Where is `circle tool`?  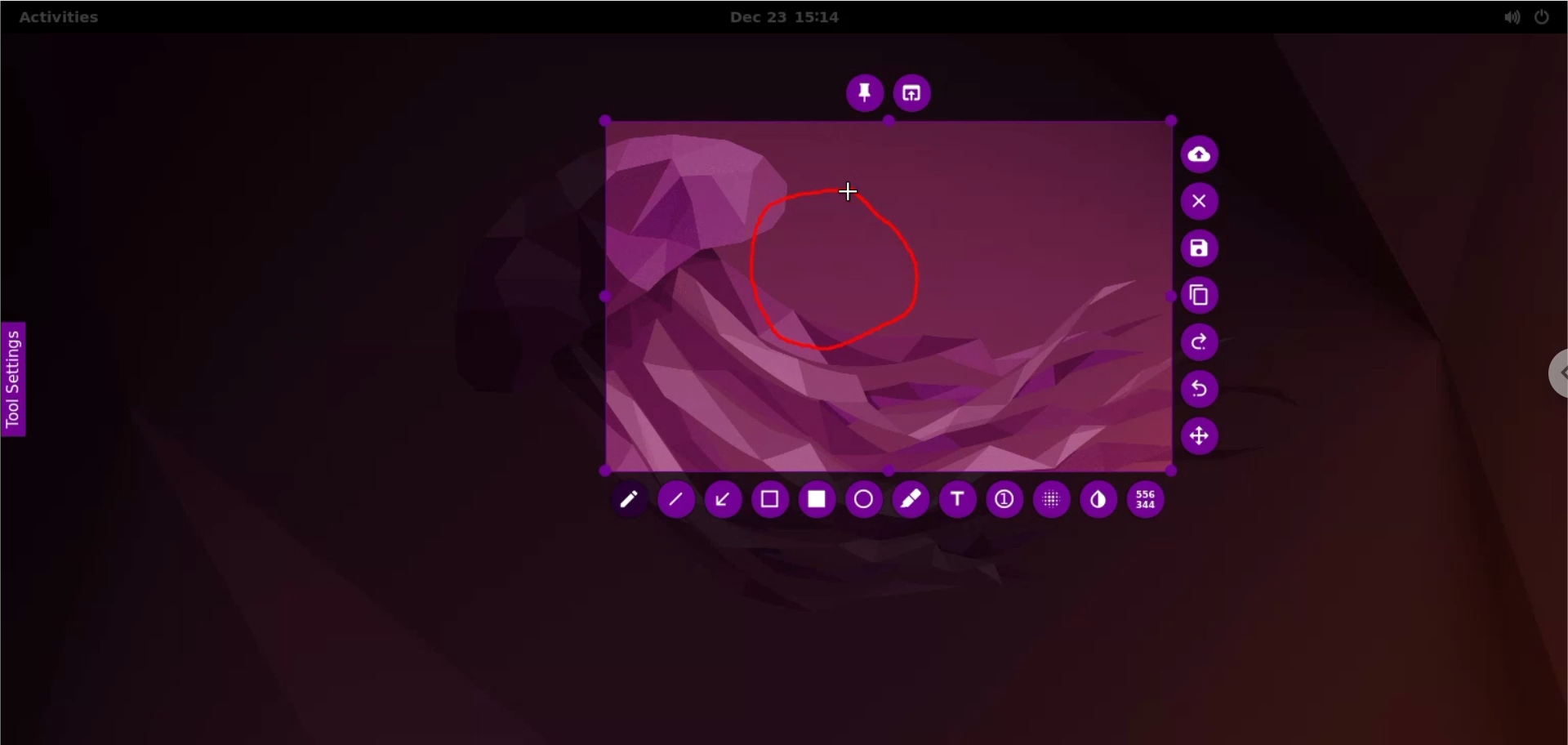 circle tool is located at coordinates (863, 499).